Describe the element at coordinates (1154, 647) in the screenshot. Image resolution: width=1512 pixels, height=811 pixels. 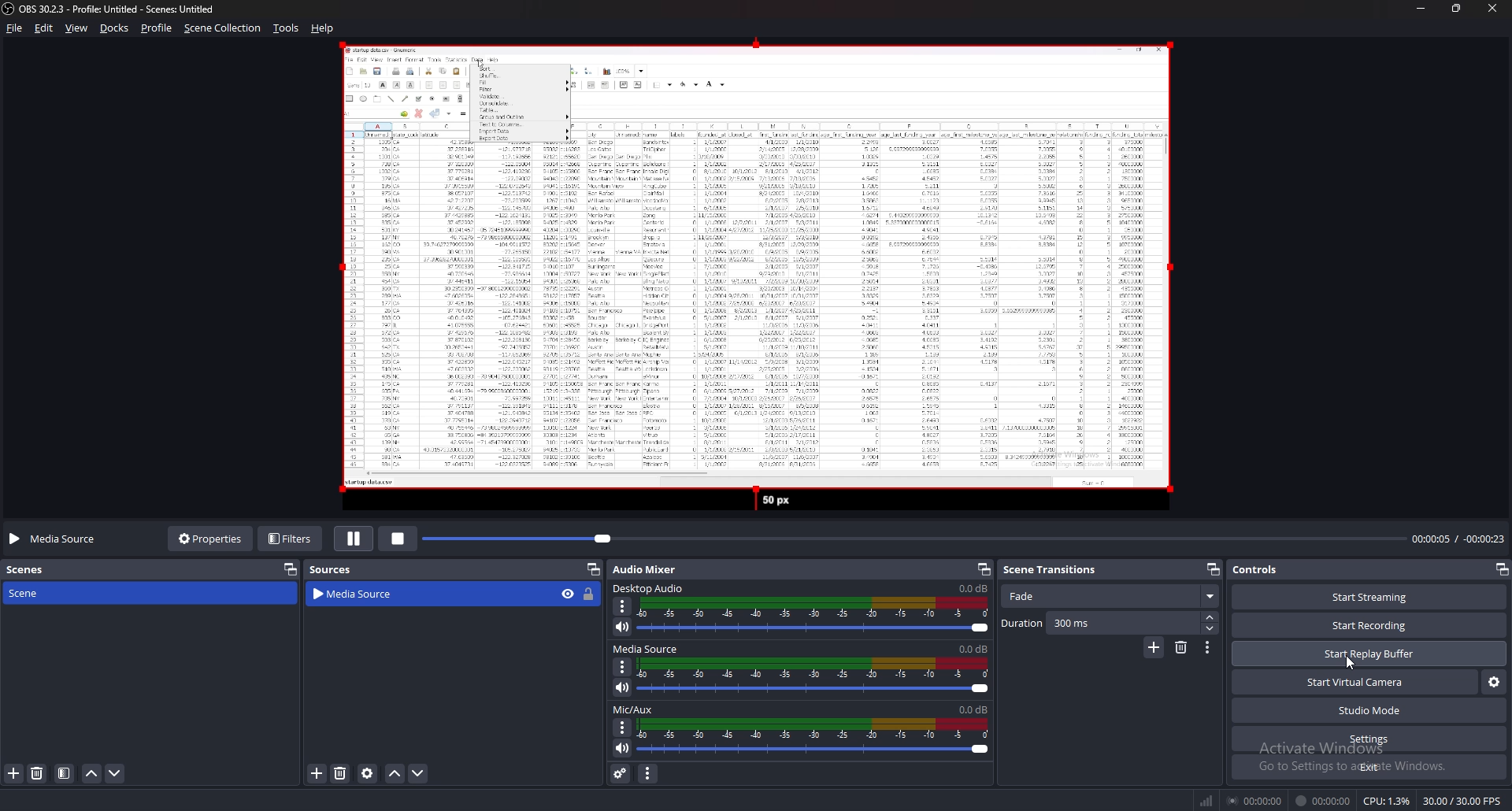
I see `add transition` at that location.